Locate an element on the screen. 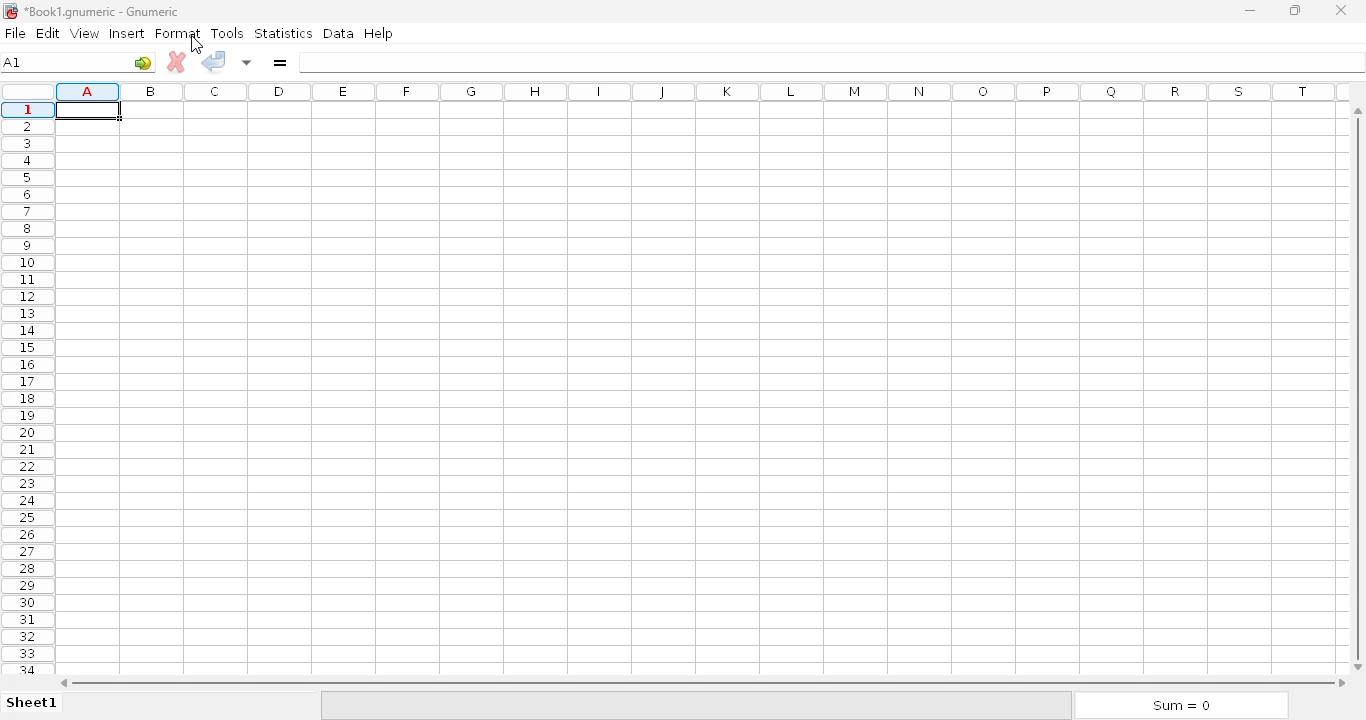 This screenshot has width=1366, height=720. rows is located at coordinates (27, 387).